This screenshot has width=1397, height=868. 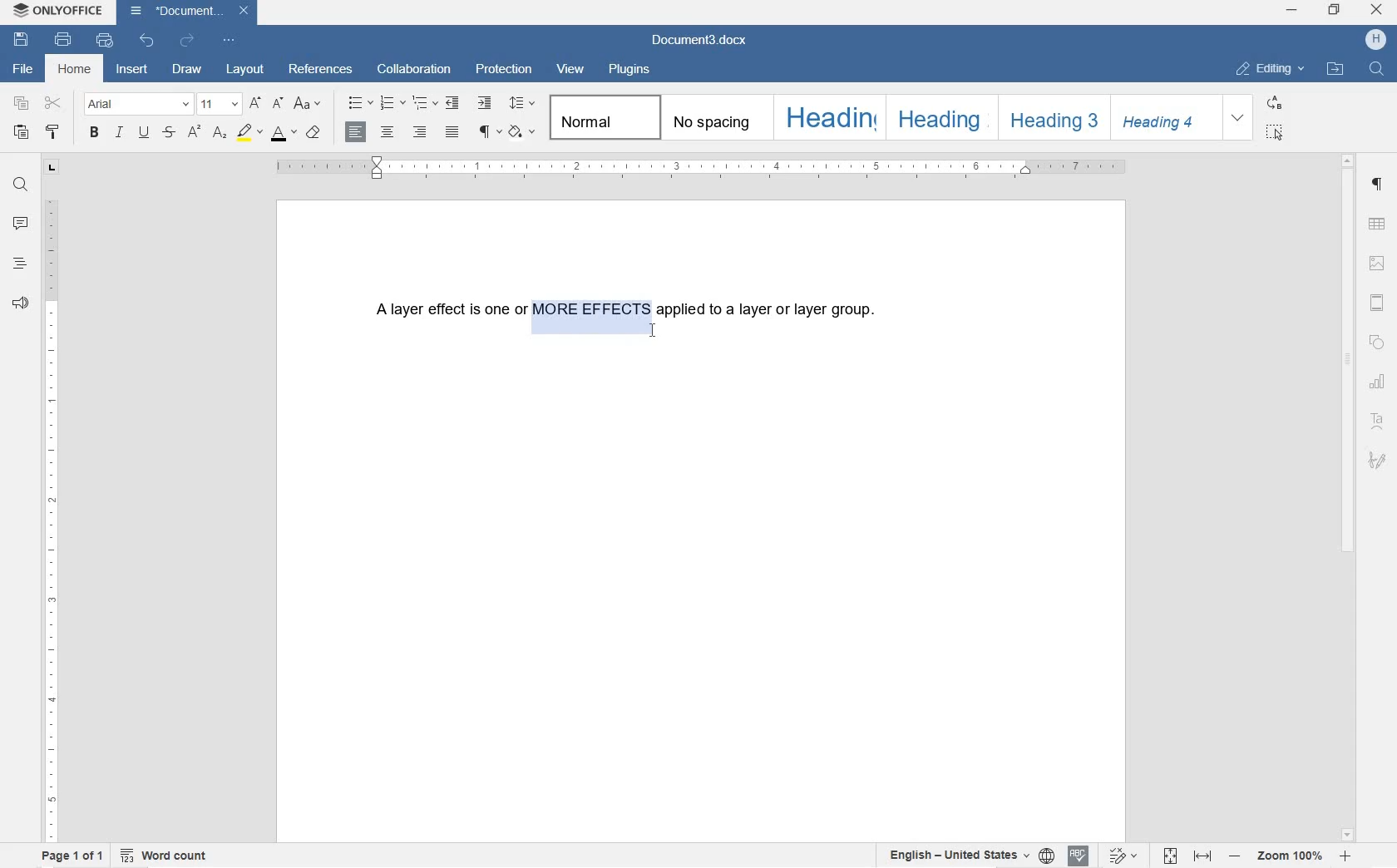 I want to click on SELECT ALL, so click(x=1276, y=132).